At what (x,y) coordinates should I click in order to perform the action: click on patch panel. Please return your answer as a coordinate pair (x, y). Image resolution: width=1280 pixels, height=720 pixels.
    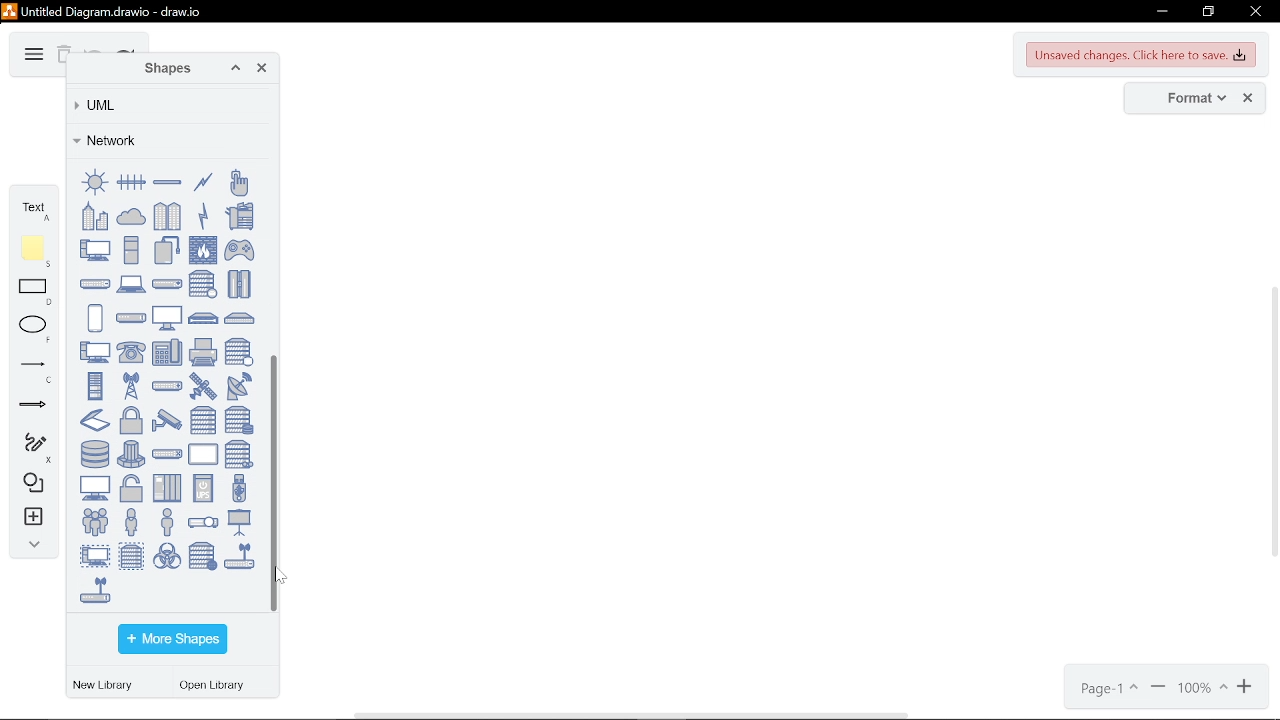
    Looking at the image, I should click on (239, 318).